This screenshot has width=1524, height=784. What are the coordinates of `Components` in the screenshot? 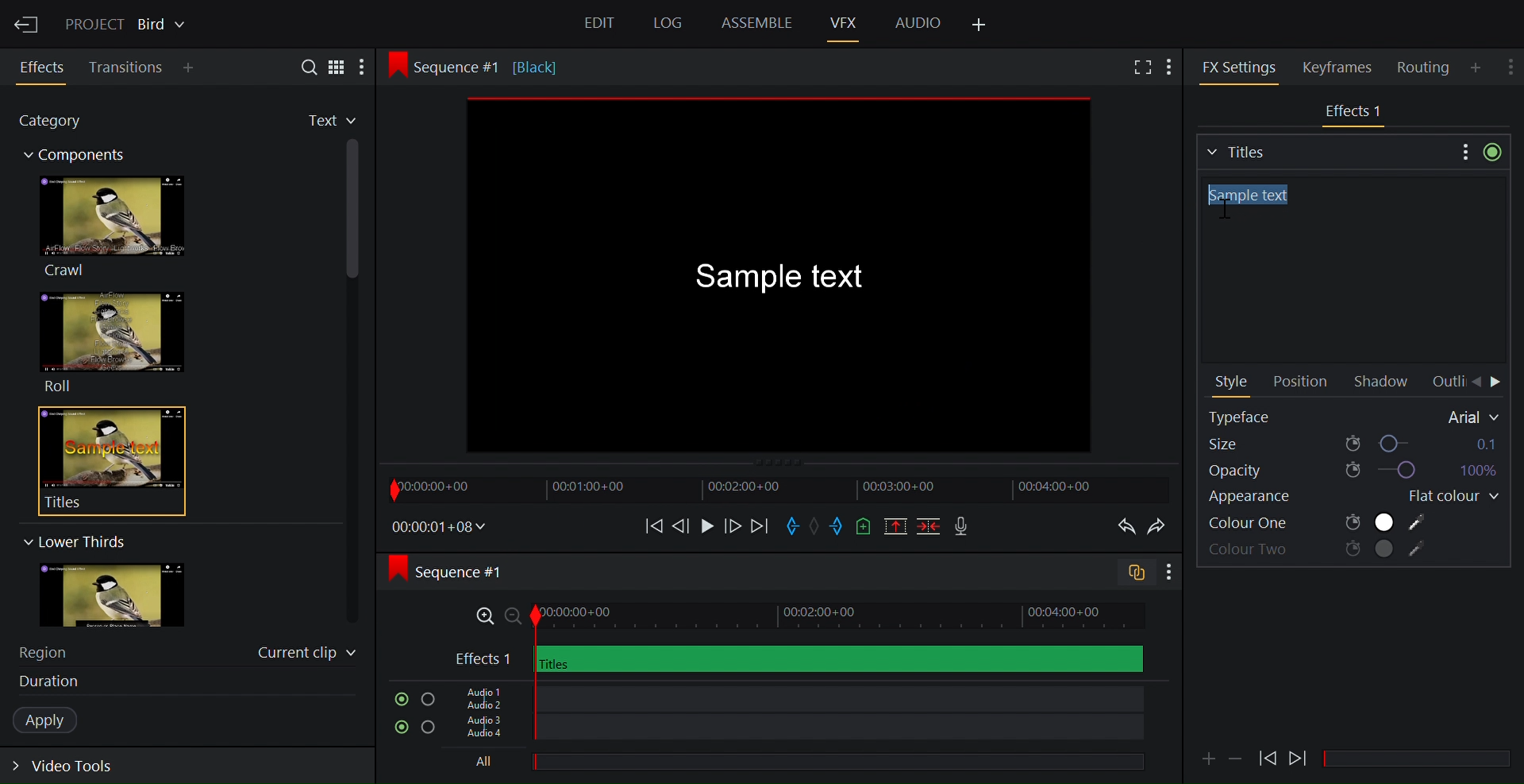 It's located at (82, 157).